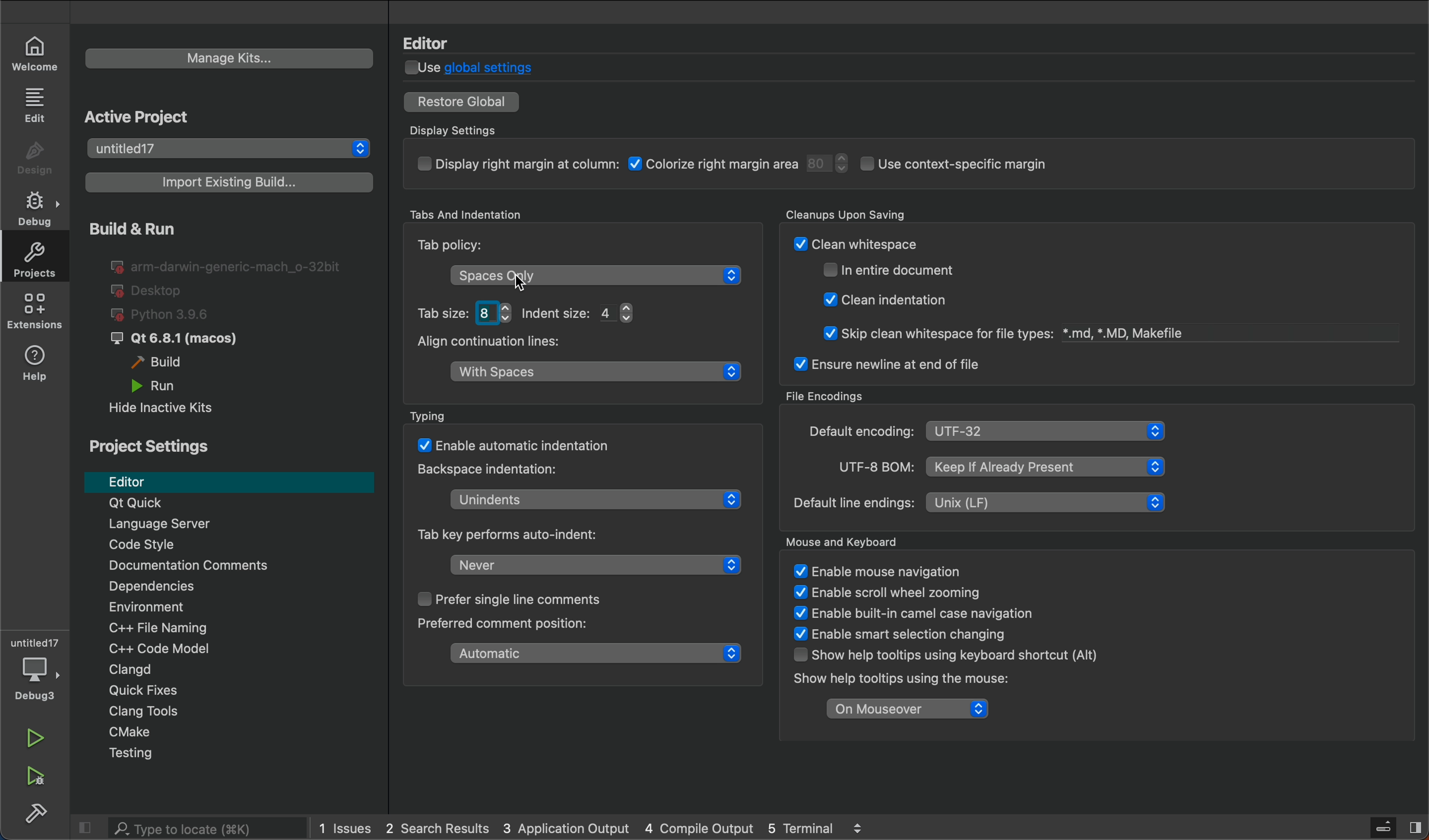 The image size is (1429, 840). Describe the element at coordinates (698, 828) in the screenshot. I see `compile output` at that location.